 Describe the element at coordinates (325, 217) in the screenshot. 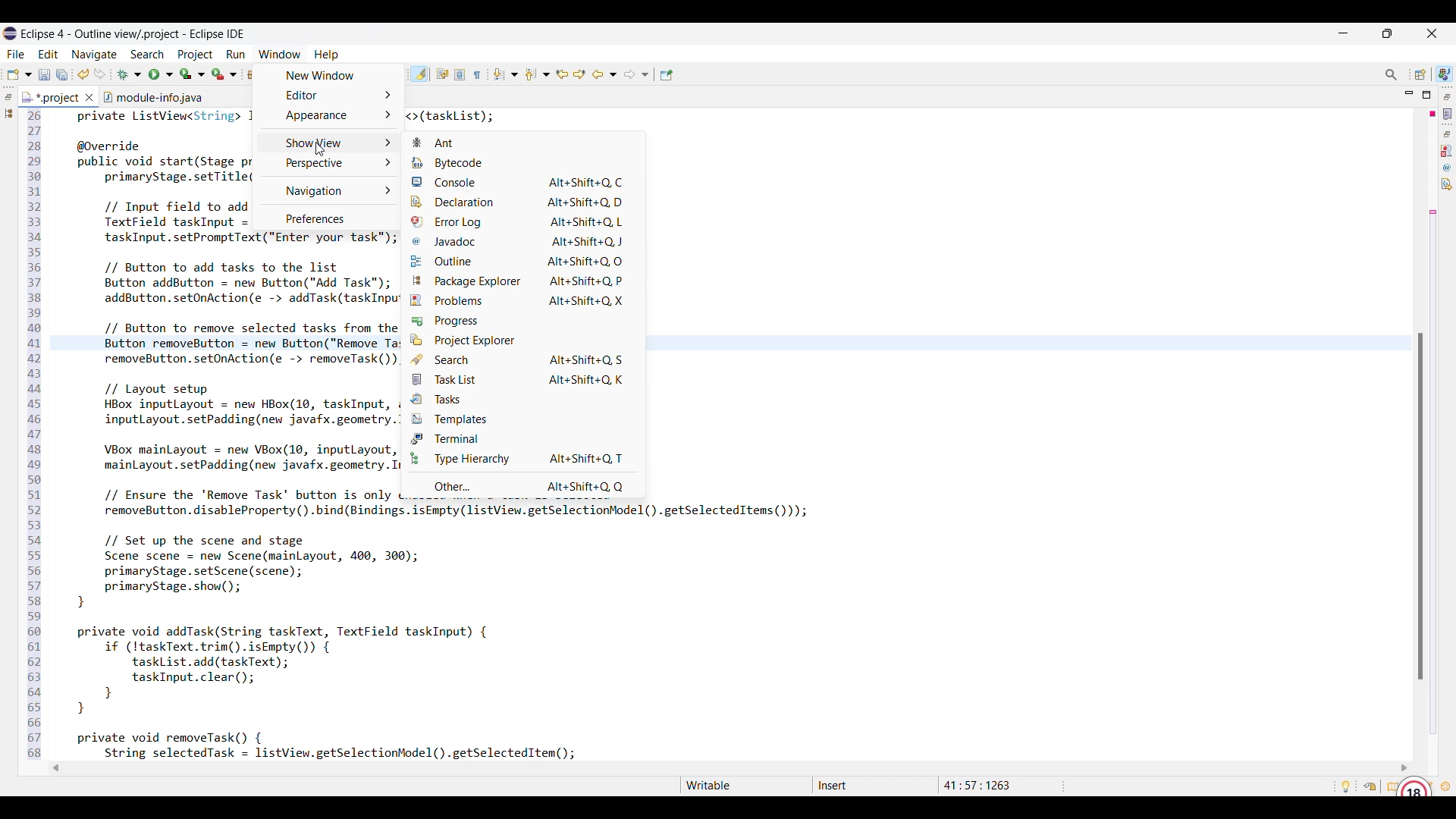

I see `Preferences` at that location.